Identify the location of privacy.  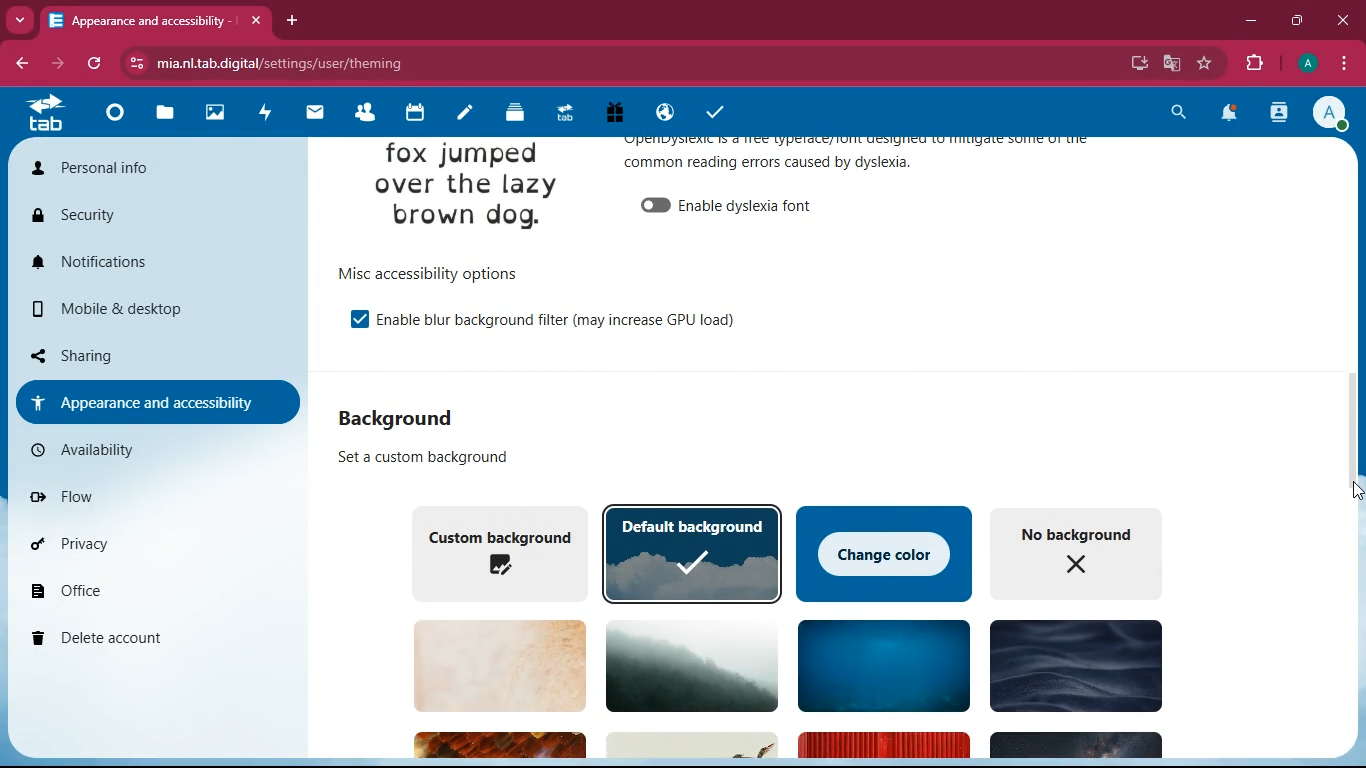
(148, 545).